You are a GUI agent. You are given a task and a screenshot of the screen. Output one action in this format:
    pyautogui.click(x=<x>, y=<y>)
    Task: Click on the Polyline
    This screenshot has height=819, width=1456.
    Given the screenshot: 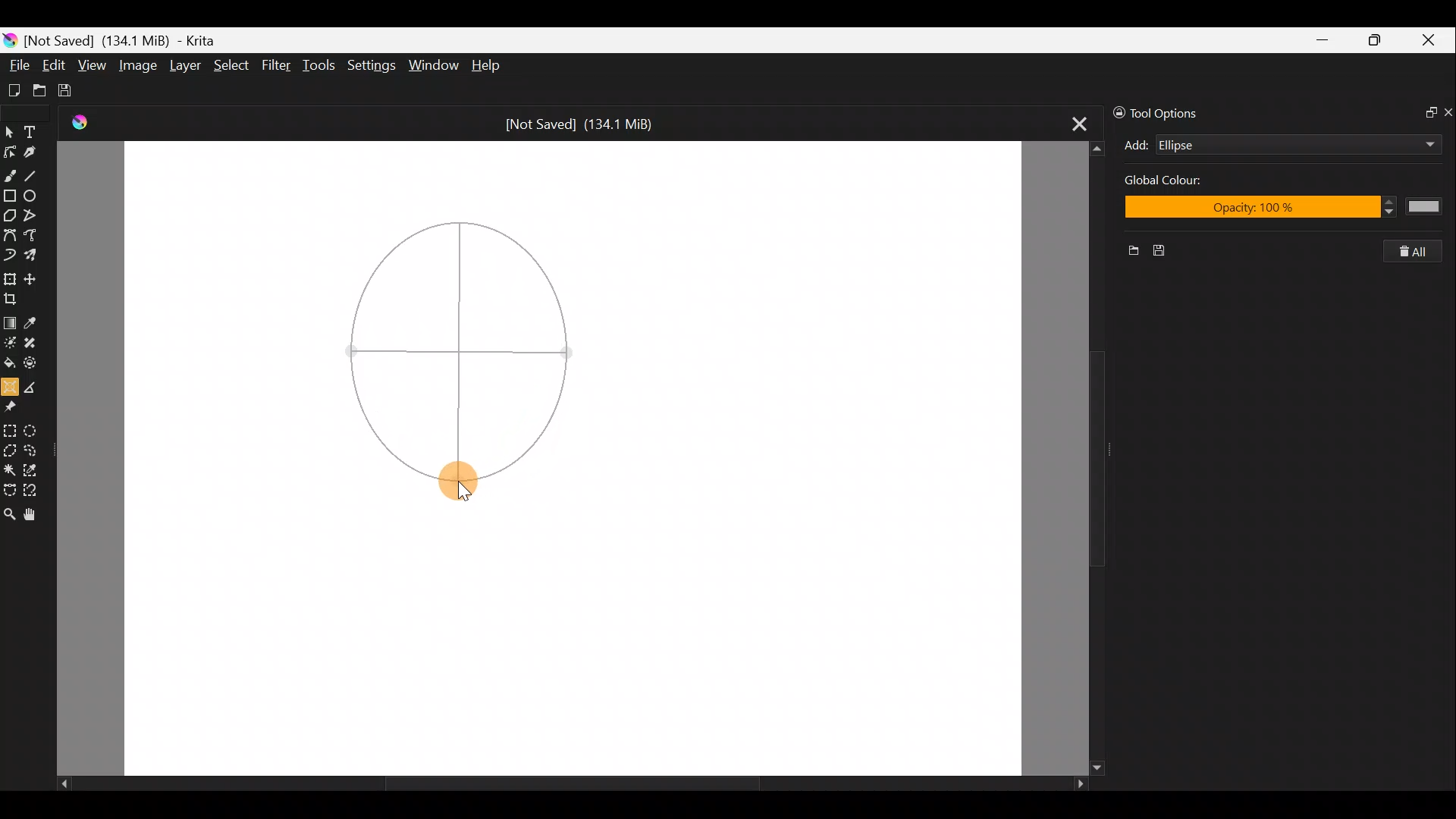 What is the action you would take?
    pyautogui.click(x=35, y=216)
    